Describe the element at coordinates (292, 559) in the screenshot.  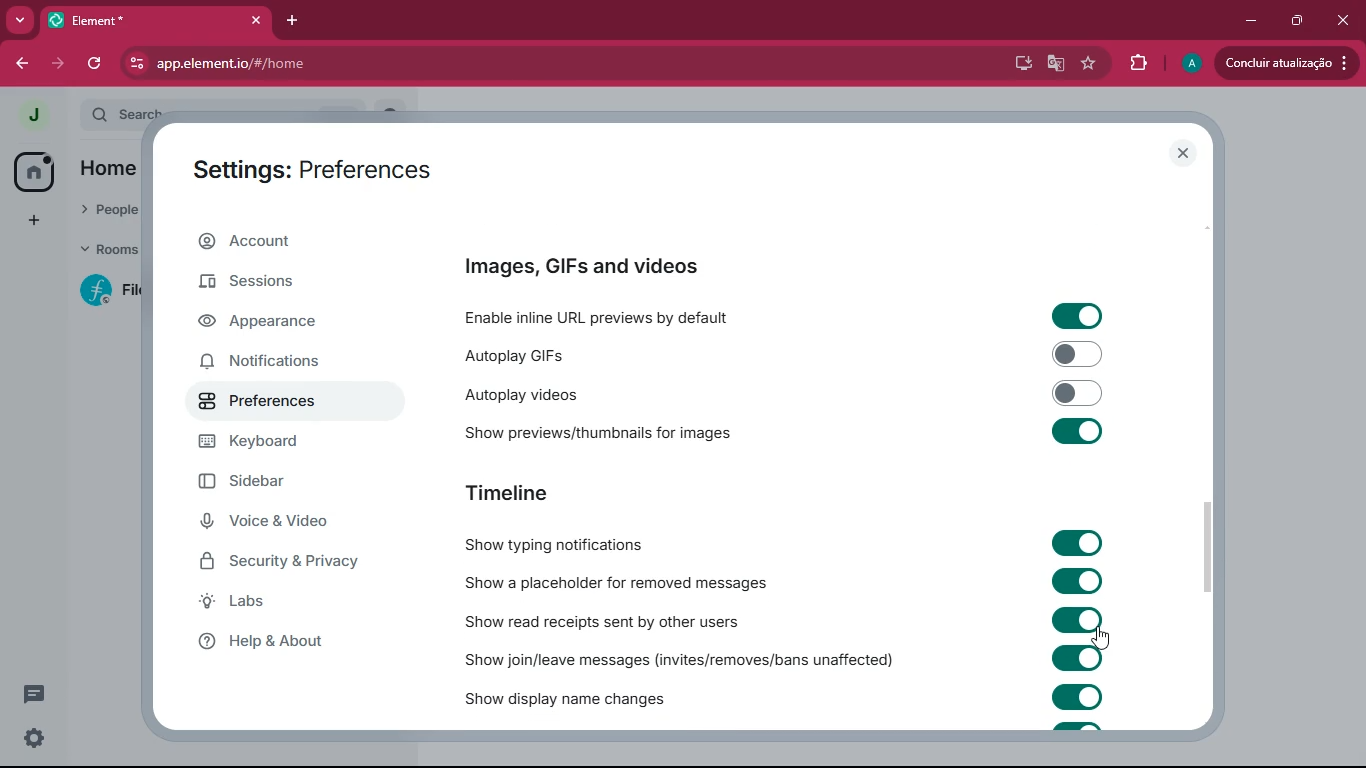
I see `security & privacy` at that location.